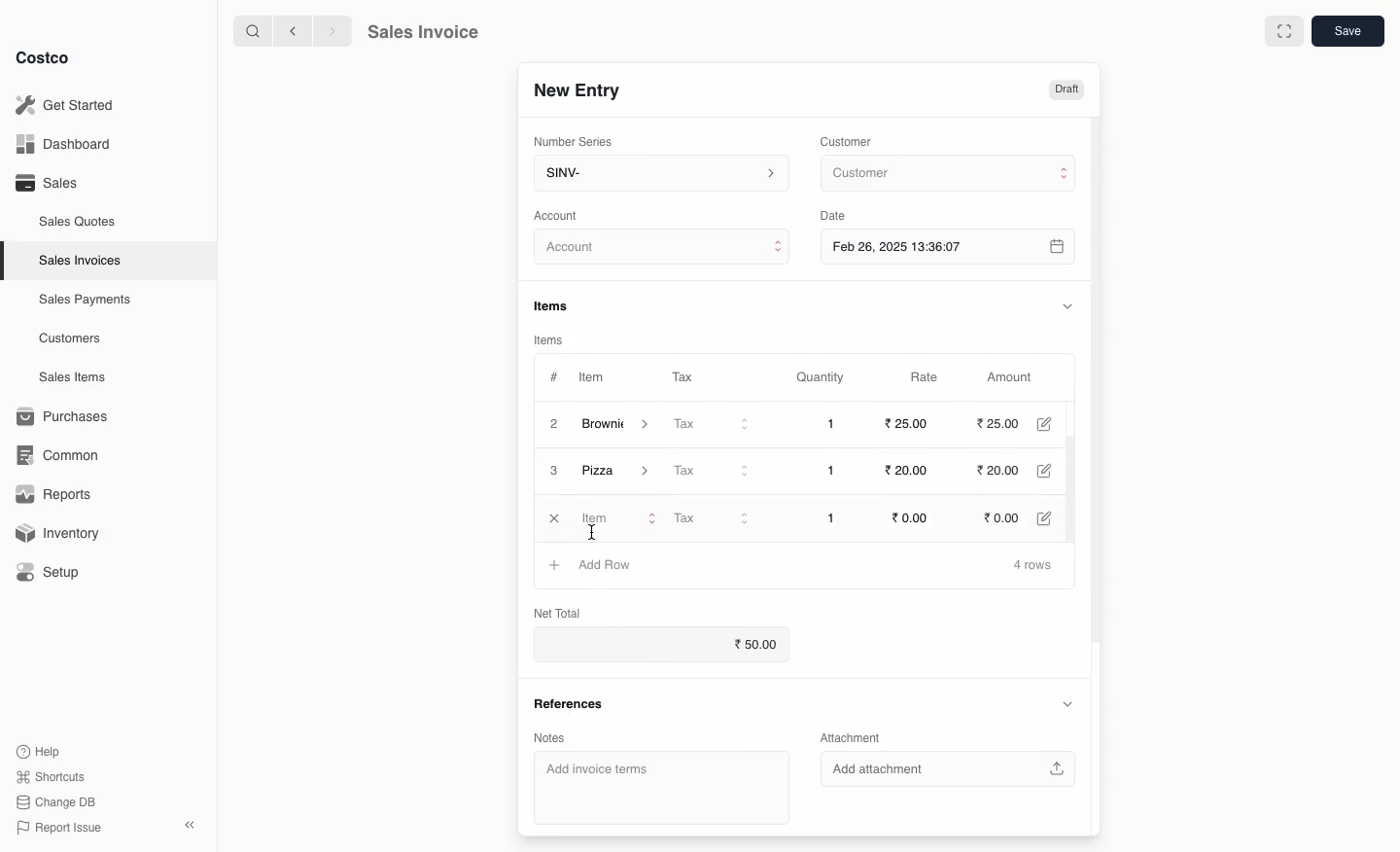 The width and height of the screenshot is (1400, 852). I want to click on Sales Payments., so click(87, 302).